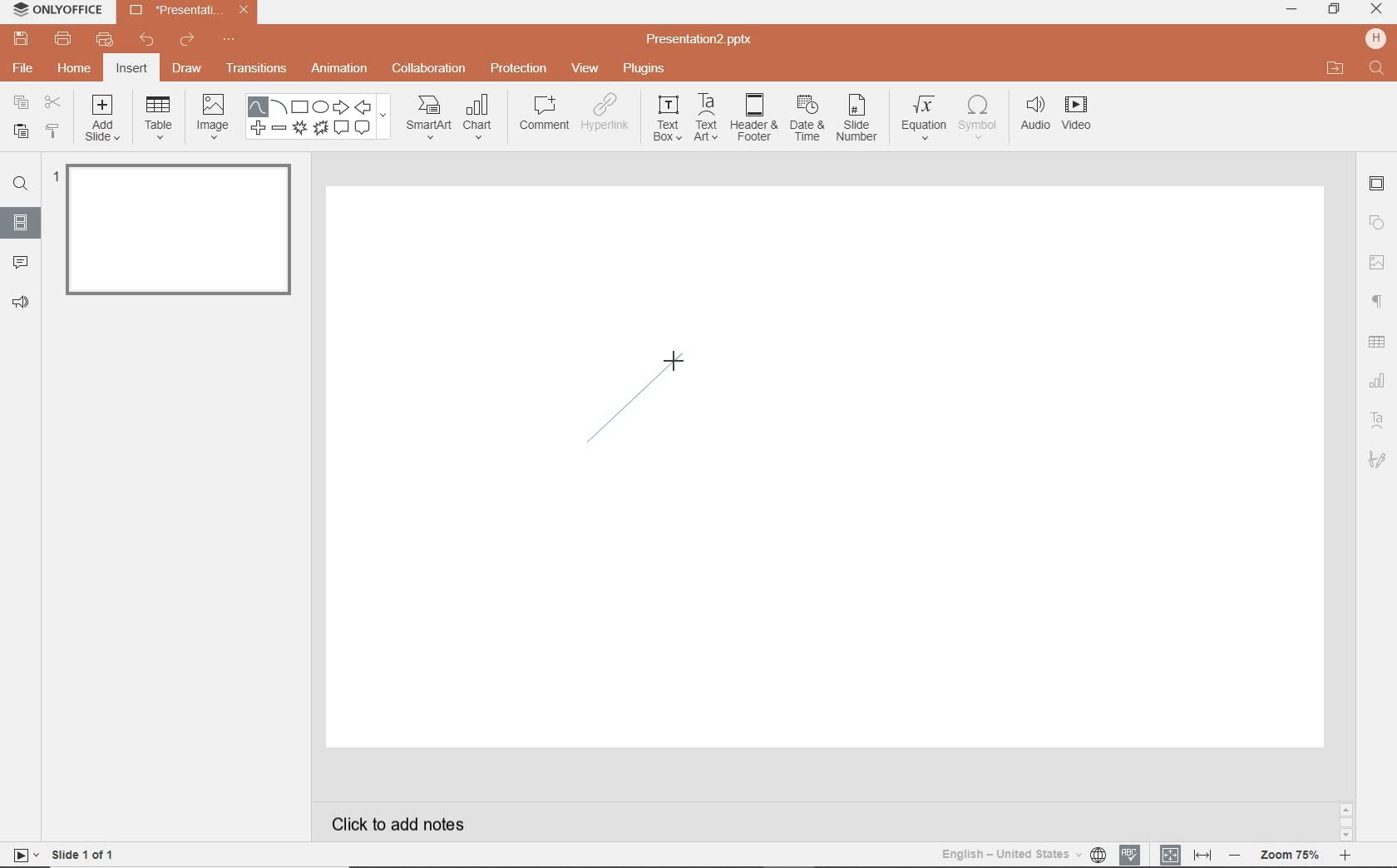  What do you see at coordinates (857, 122) in the screenshot?
I see `SLIDE NUMBER` at bounding box center [857, 122].